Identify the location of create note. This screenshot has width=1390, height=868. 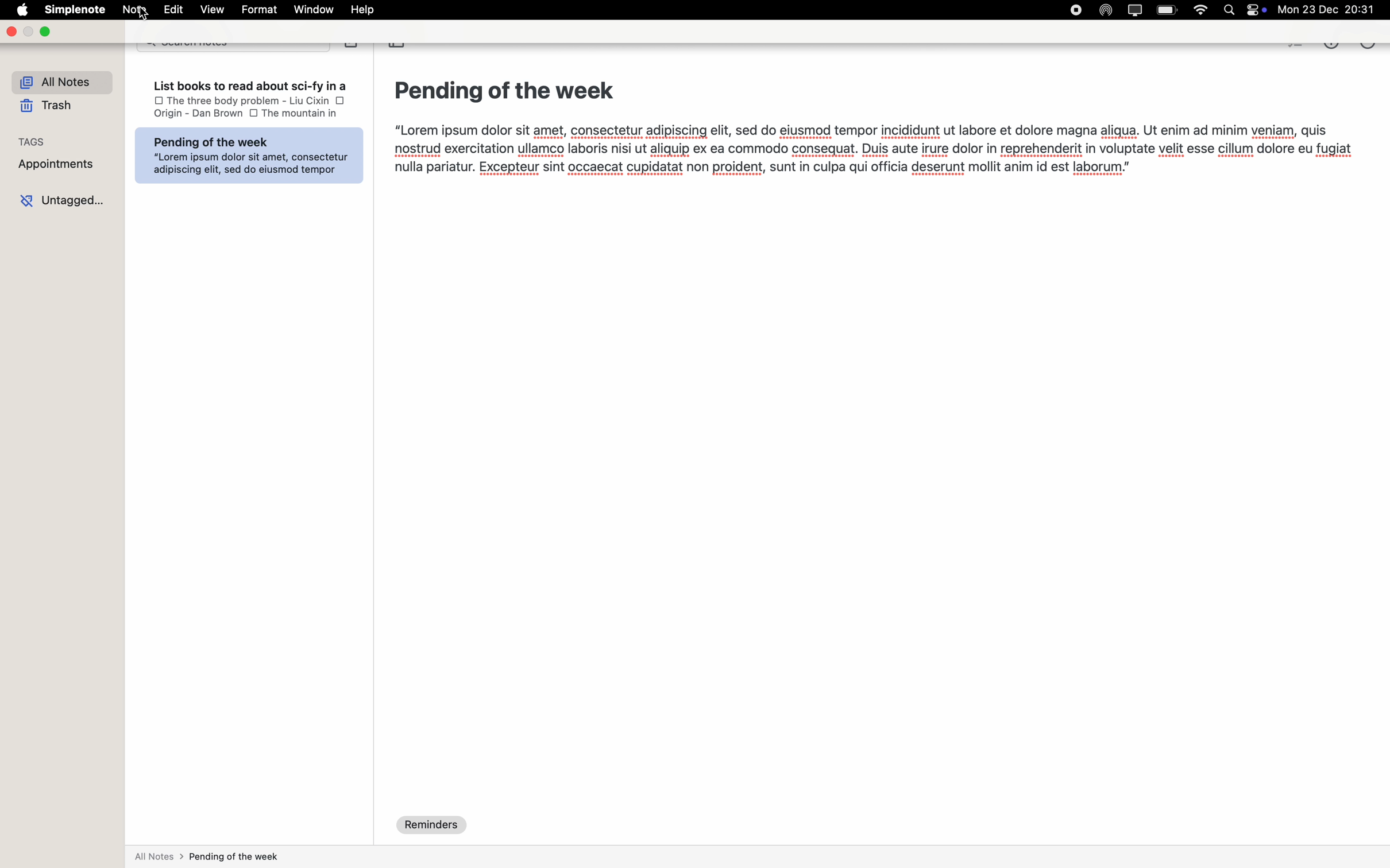
(352, 48).